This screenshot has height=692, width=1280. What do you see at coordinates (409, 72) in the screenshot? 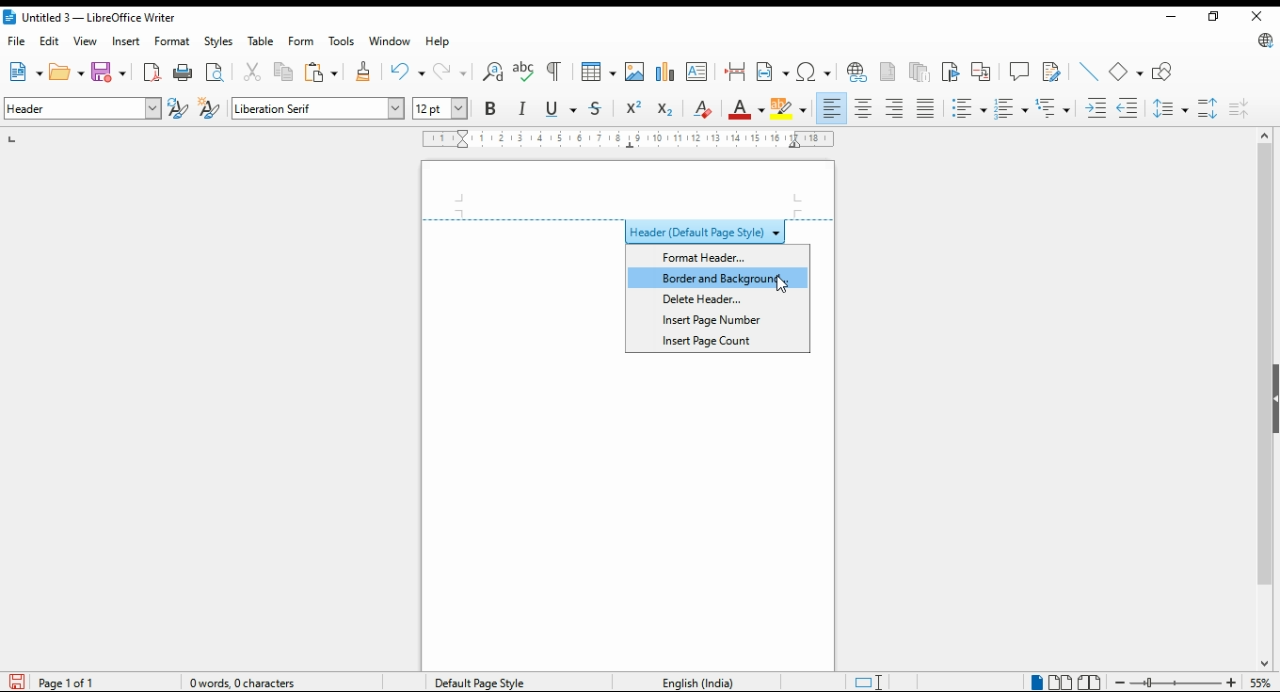
I see `undo` at bounding box center [409, 72].